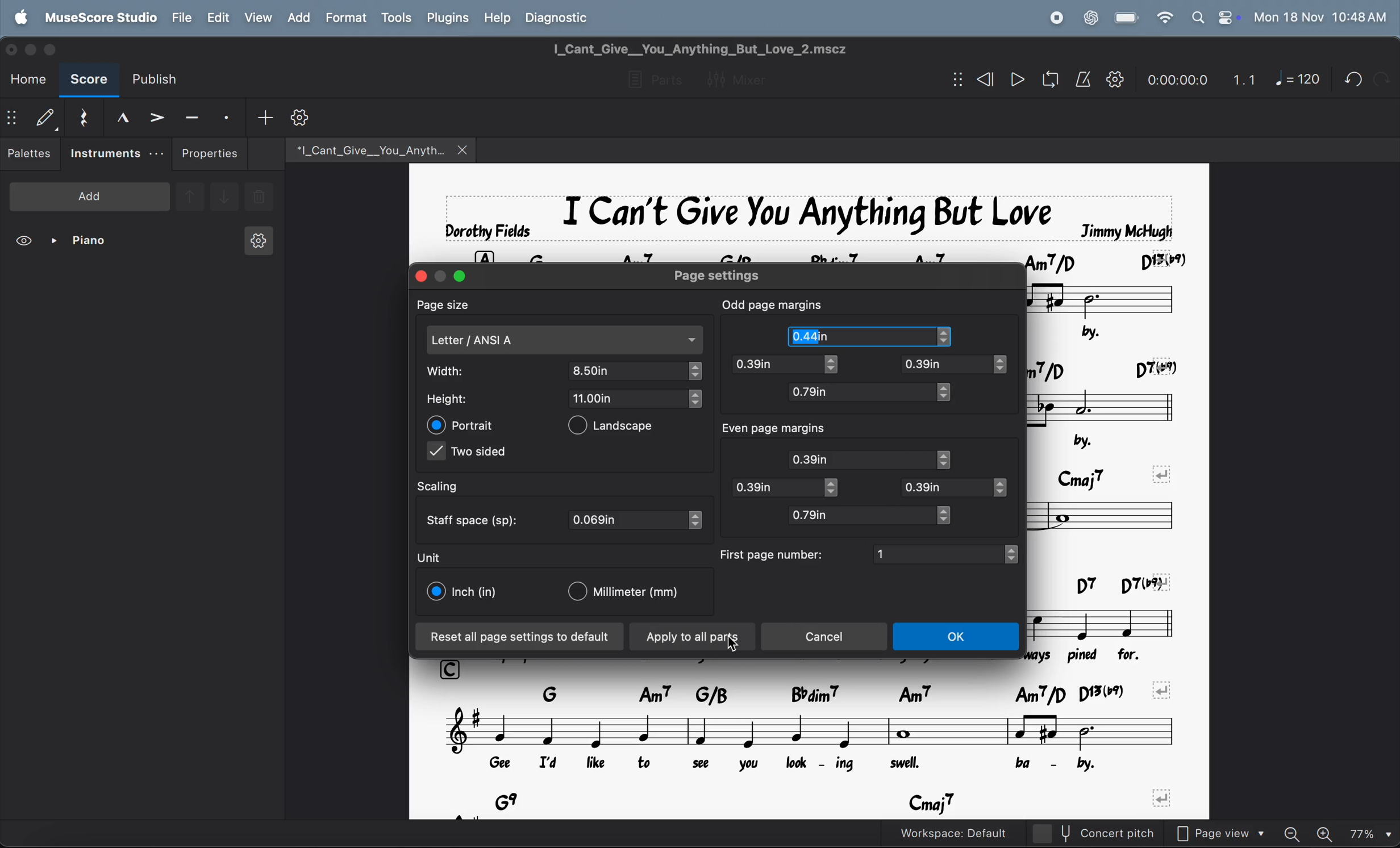 Image resolution: width=1400 pixels, height=848 pixels. What do you see at coordinates (1226, 832) in the screenshot?
I see `page view` at bounding box center [1226, 832].